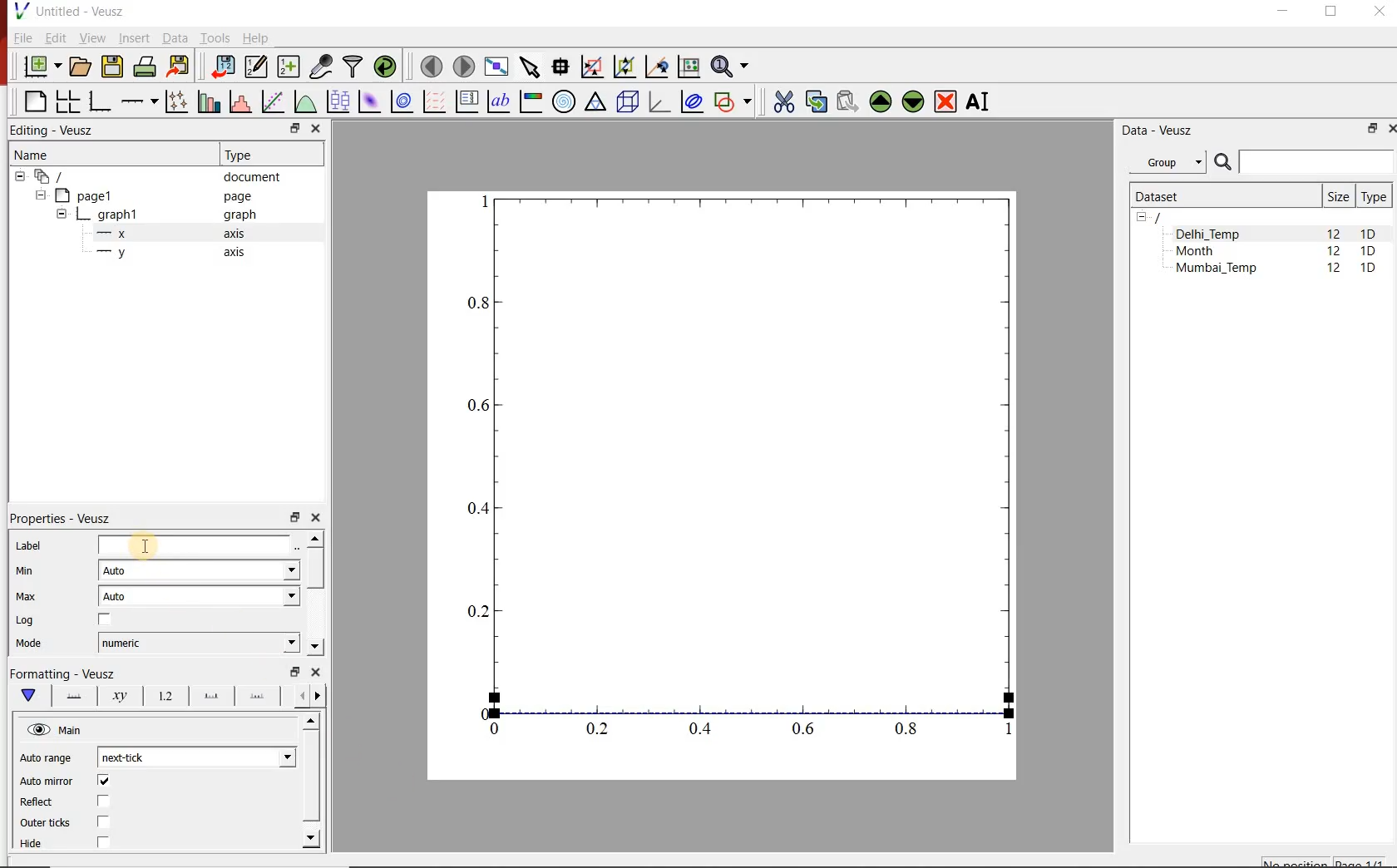 This screenshot has height=868, width=1397. Describe the element at coordinates (314, 130) in the screenshot. I see `close` at that location.